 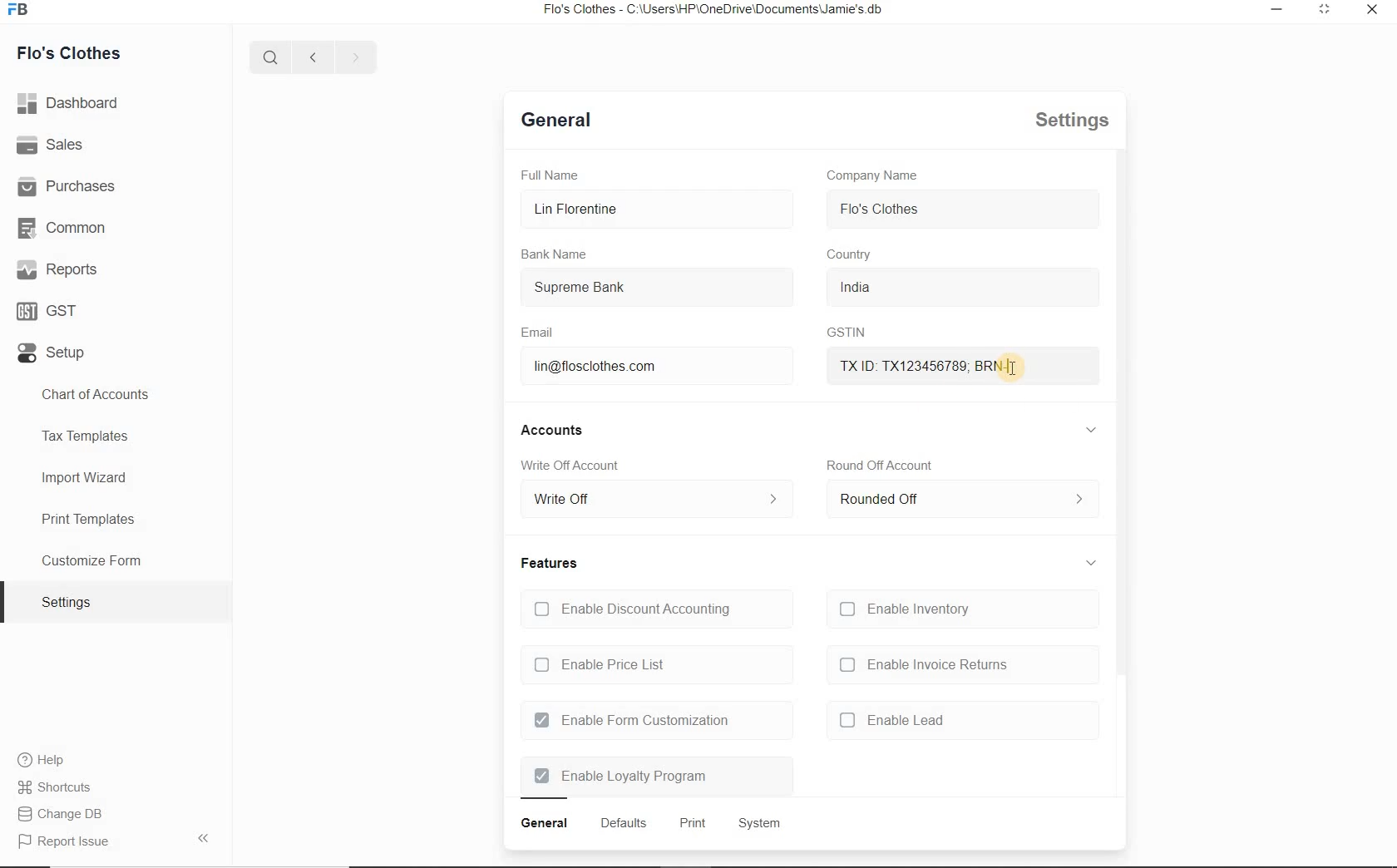 I want to click on close window, so click(x=1370, y=10).